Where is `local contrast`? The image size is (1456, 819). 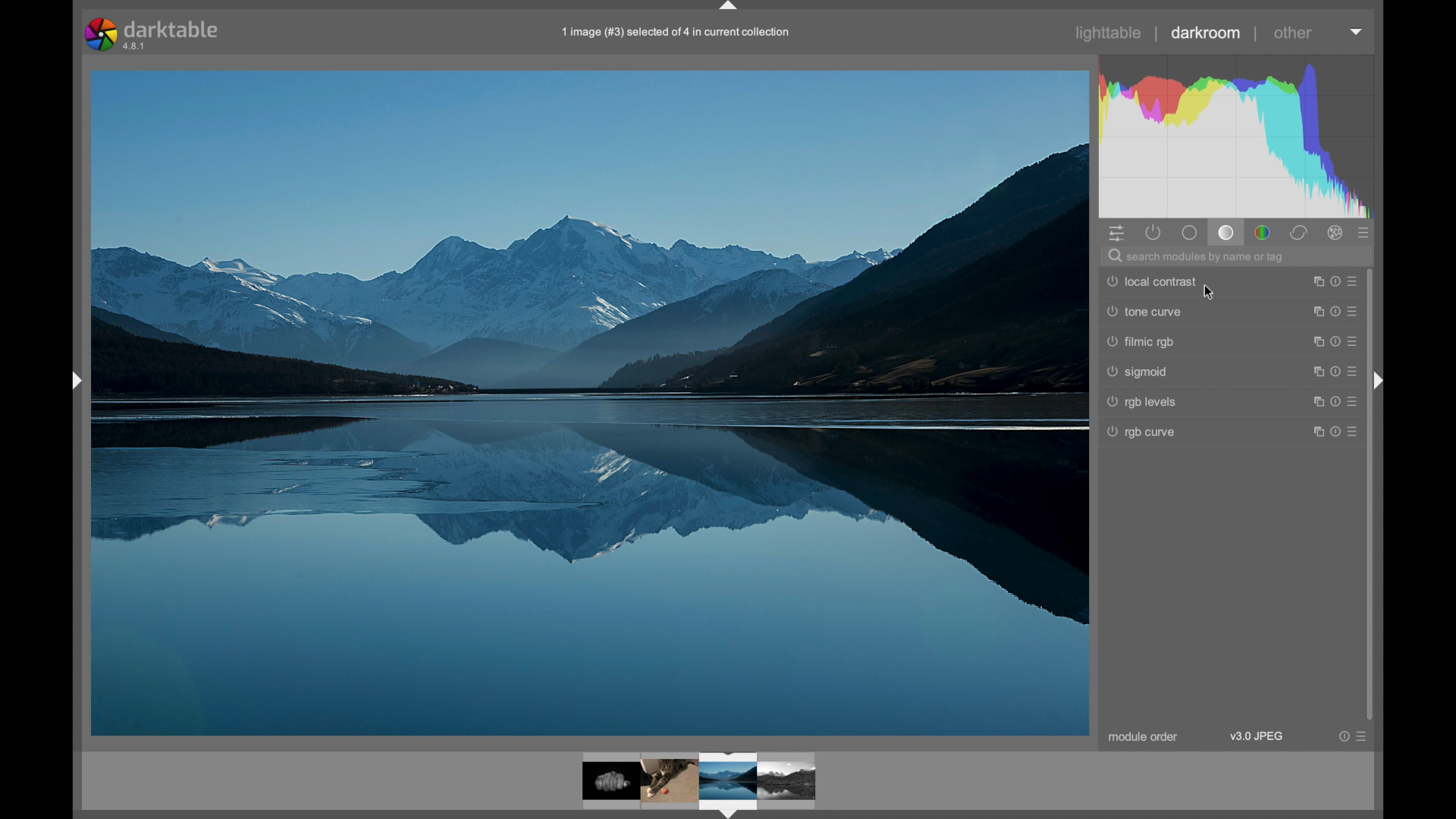 local contrast is located at coordinates (1152, 281).